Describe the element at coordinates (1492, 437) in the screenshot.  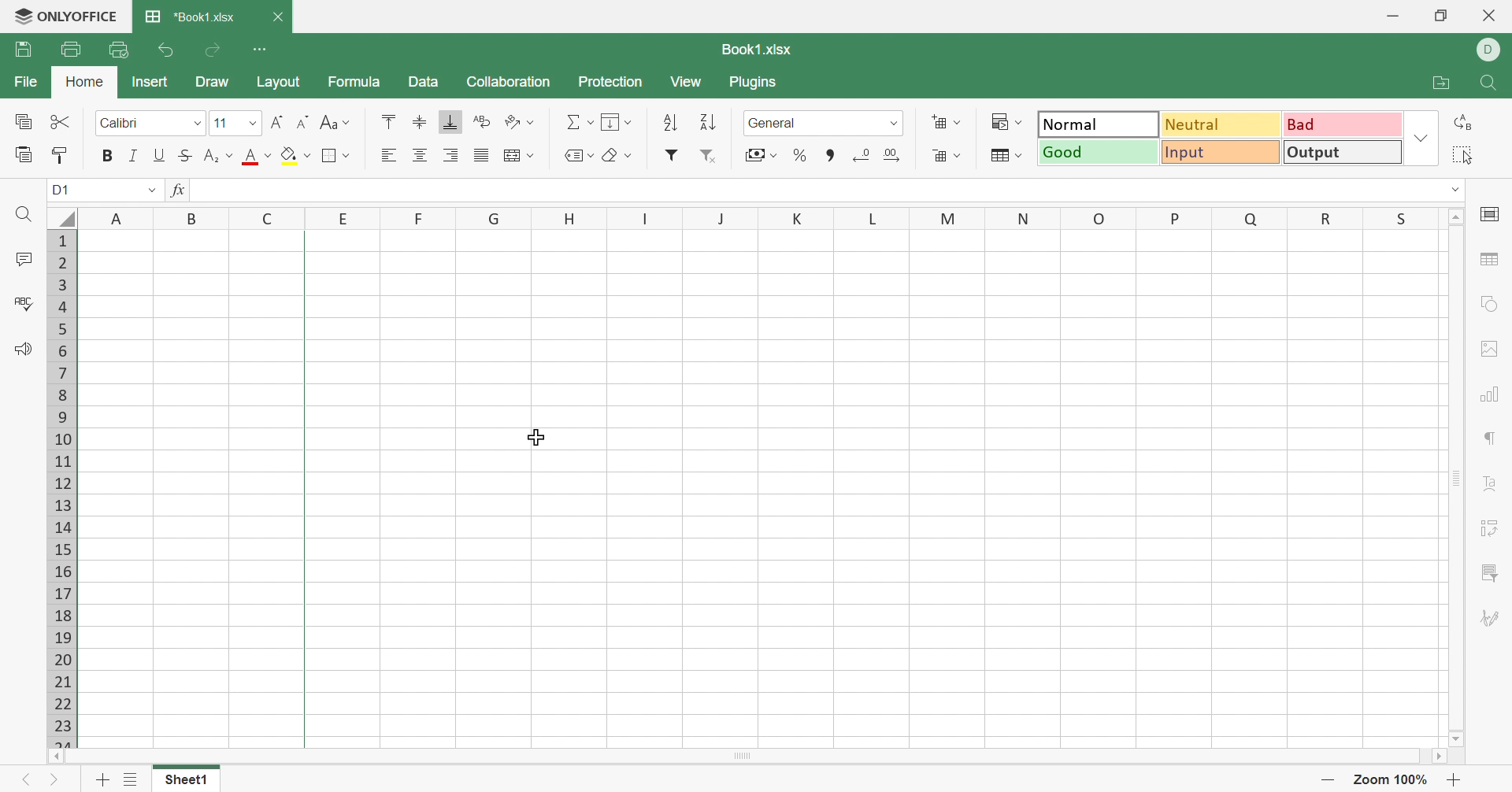
I see `Paragraph settings` at that location.